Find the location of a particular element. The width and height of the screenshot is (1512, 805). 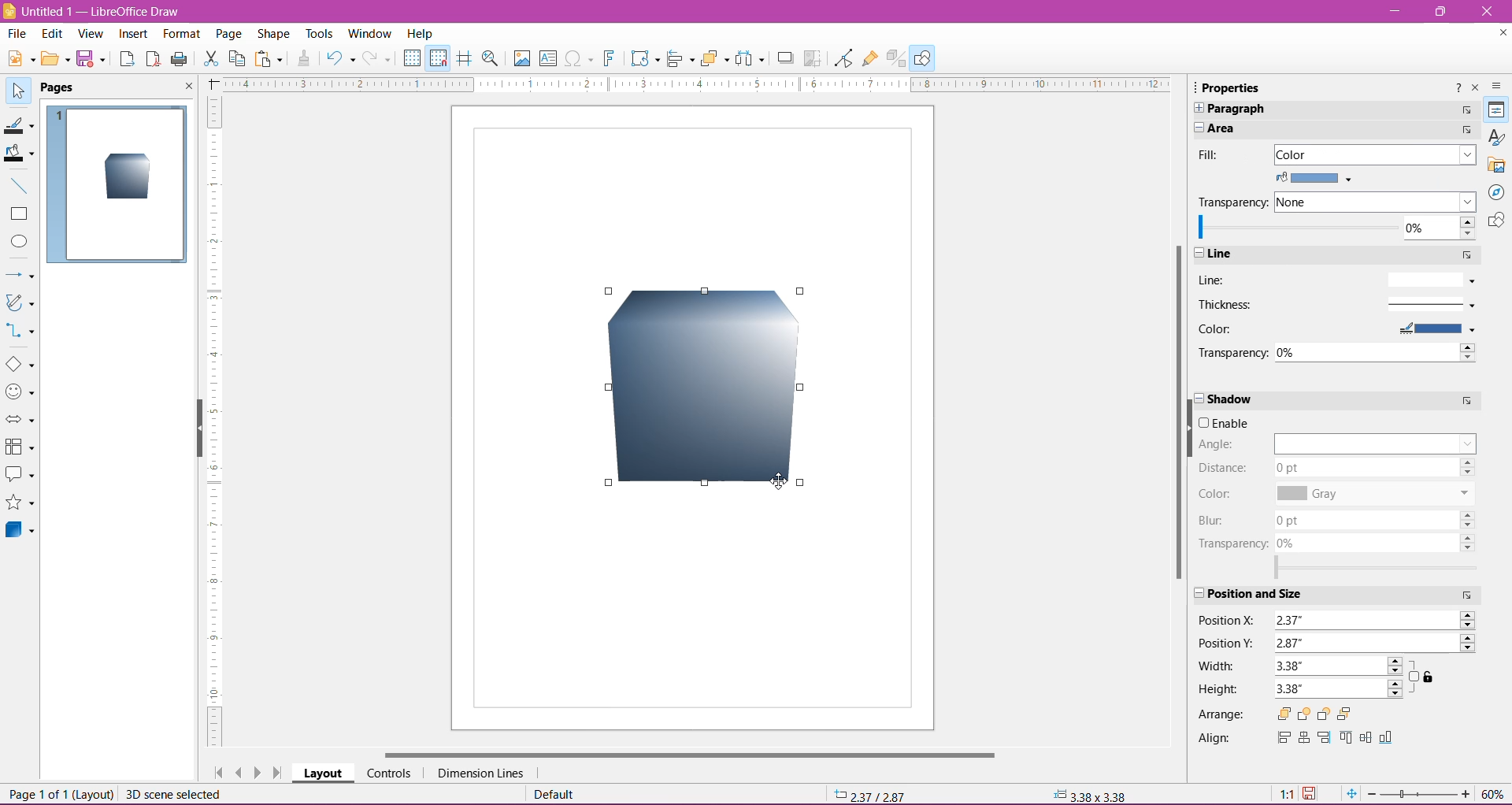

Transparency is located at coordinates (1236, 202).